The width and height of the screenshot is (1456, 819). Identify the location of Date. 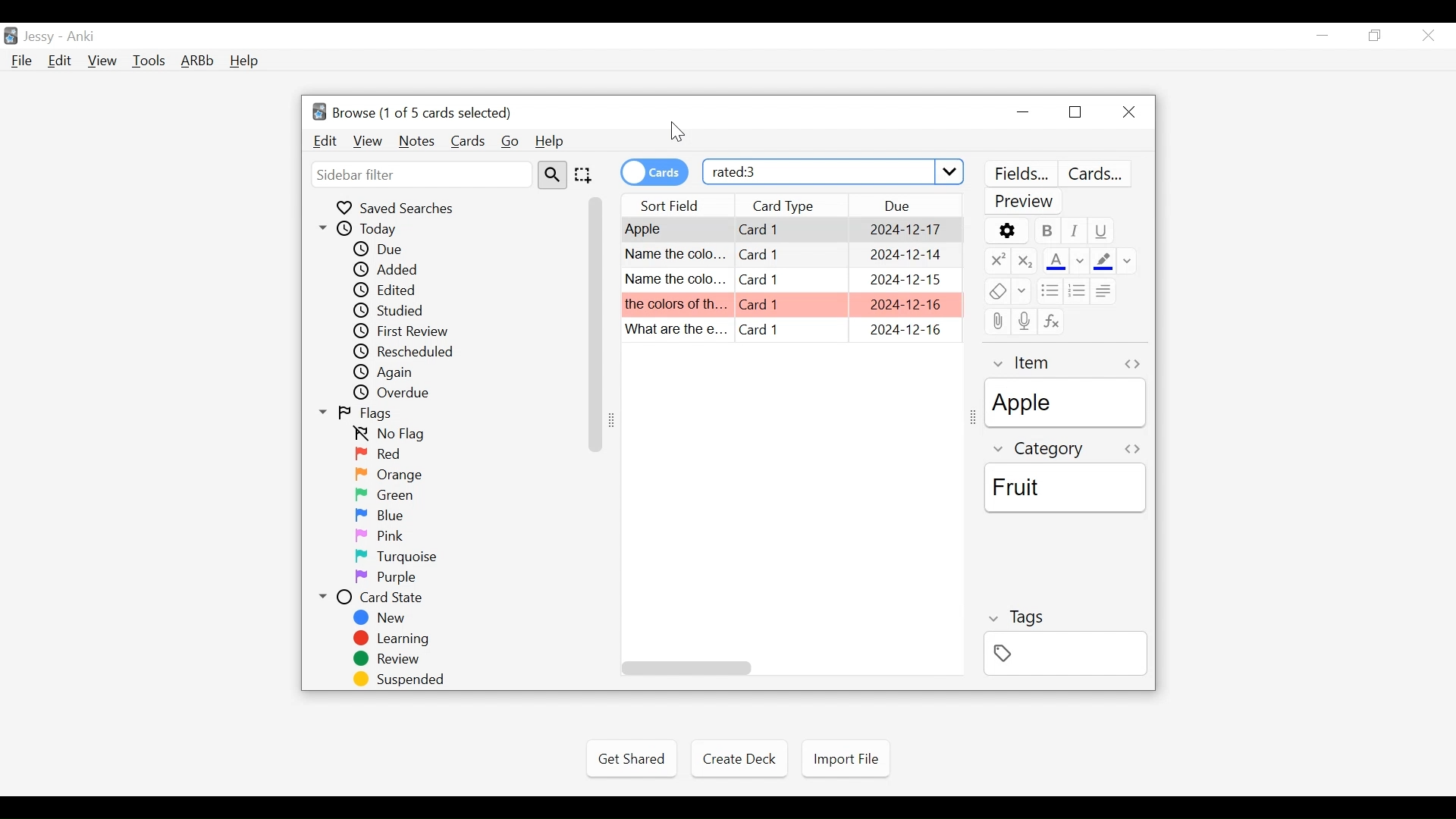
(904, 229).